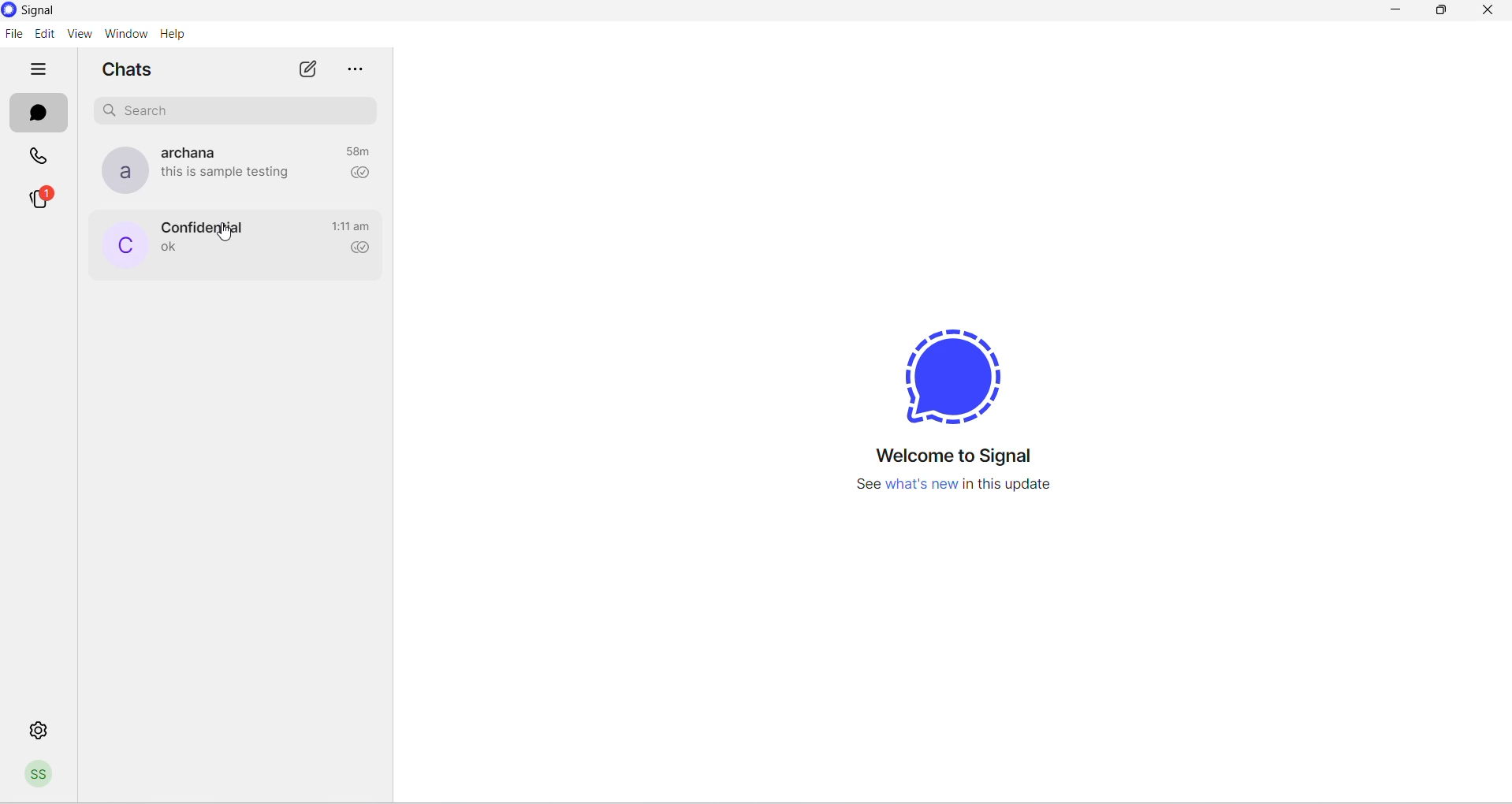  I want to click on edit, so click(43, 35).